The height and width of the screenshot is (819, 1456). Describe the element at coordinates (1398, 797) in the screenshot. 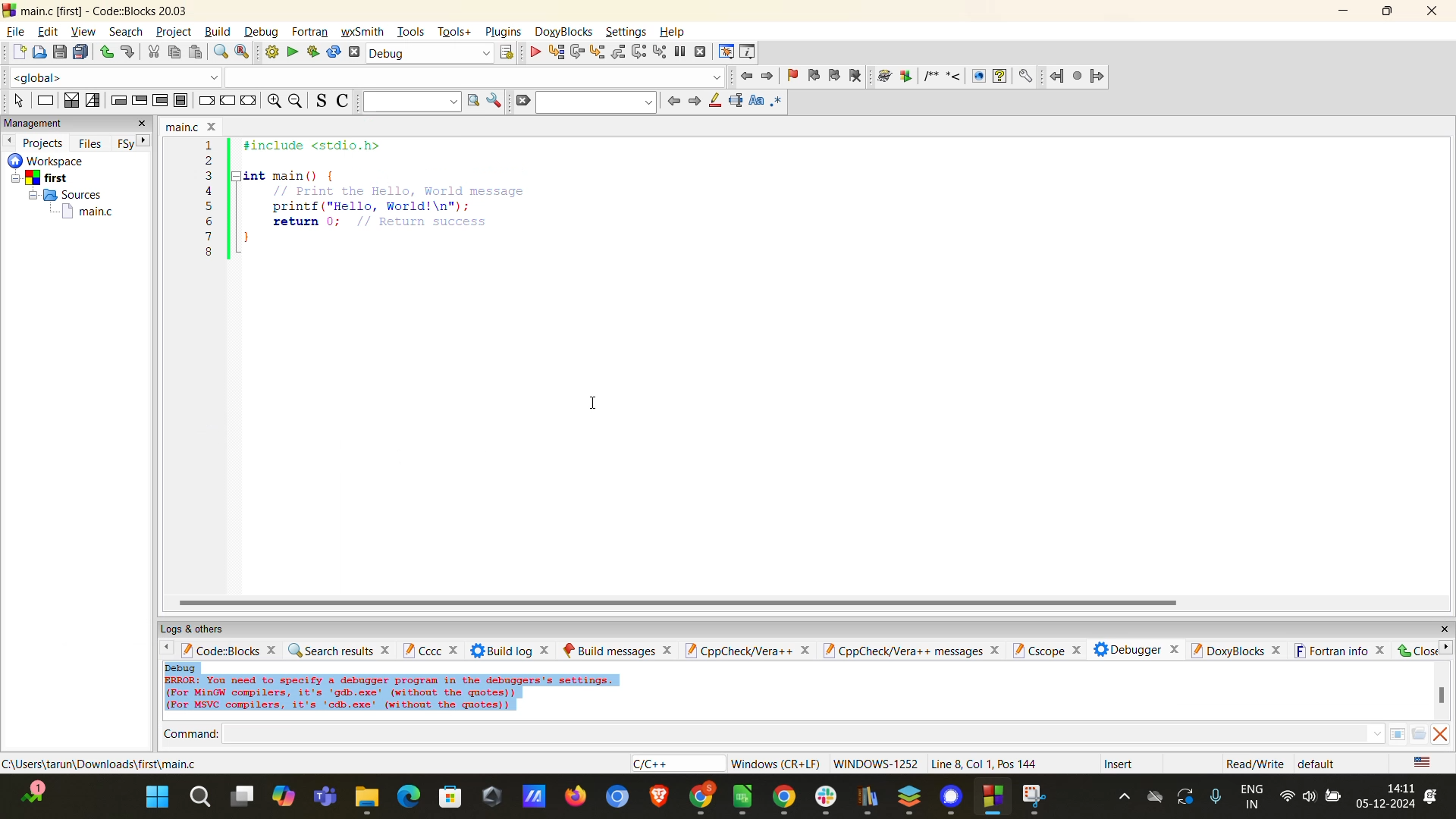

I see `date and time ` at that location.